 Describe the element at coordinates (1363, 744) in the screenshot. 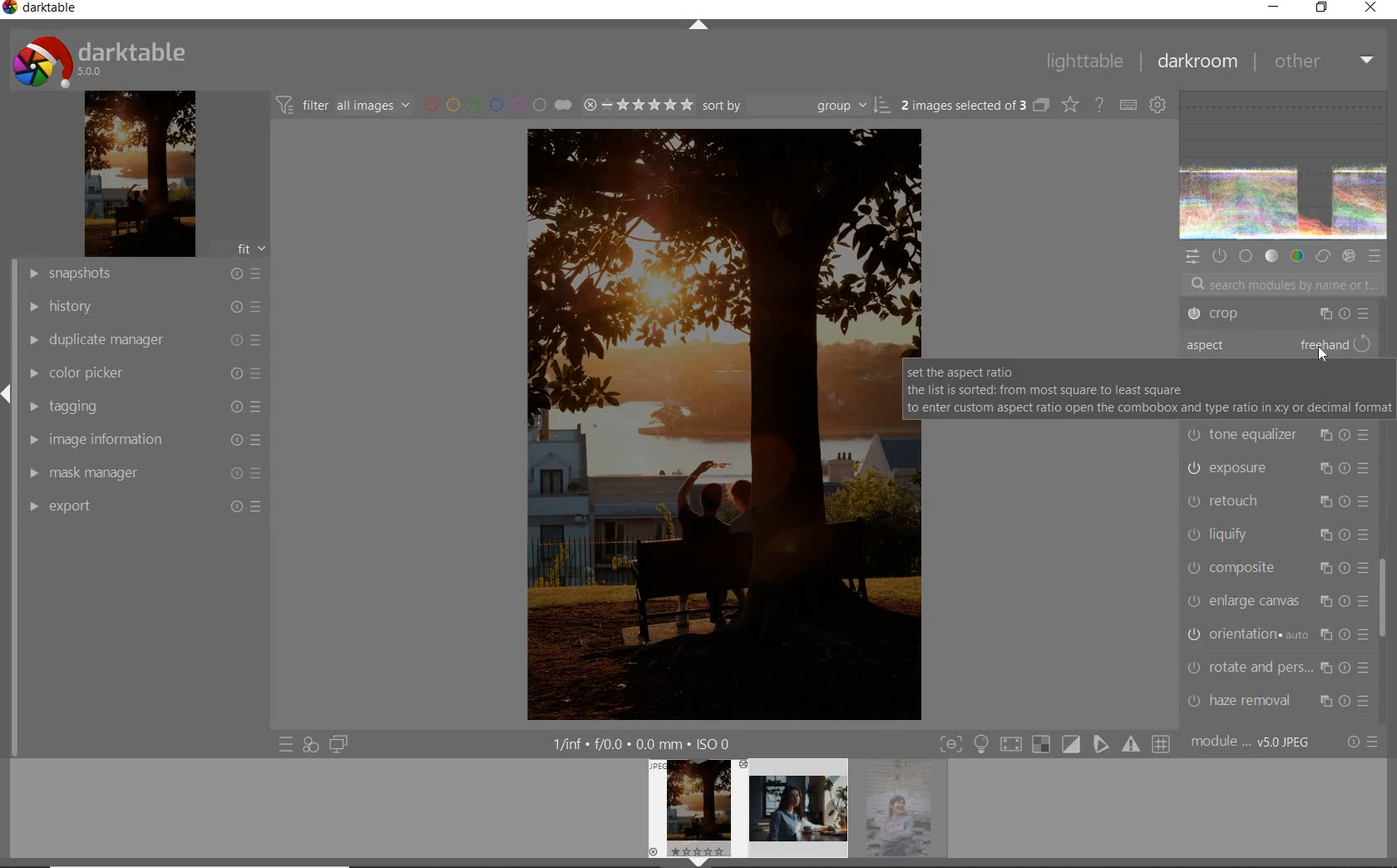

I see `reset or preset & preference` at that location.